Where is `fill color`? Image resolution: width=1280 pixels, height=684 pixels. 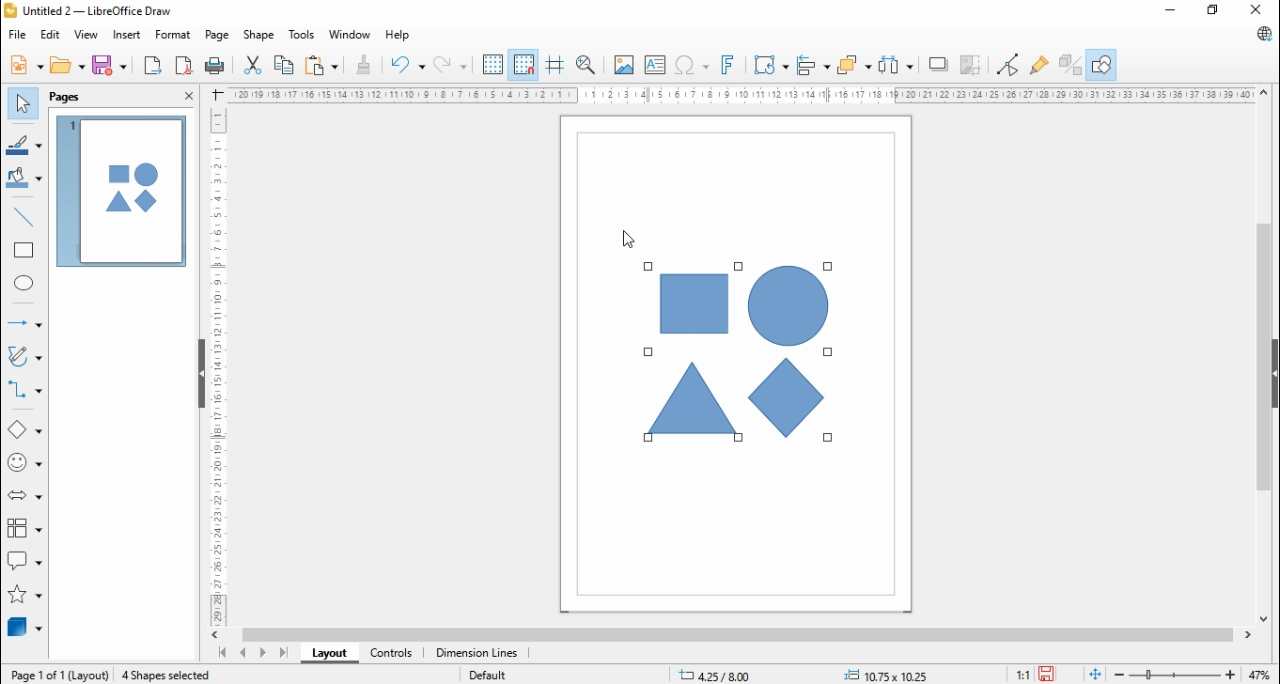
fill color is located at coordinates (24, 178).